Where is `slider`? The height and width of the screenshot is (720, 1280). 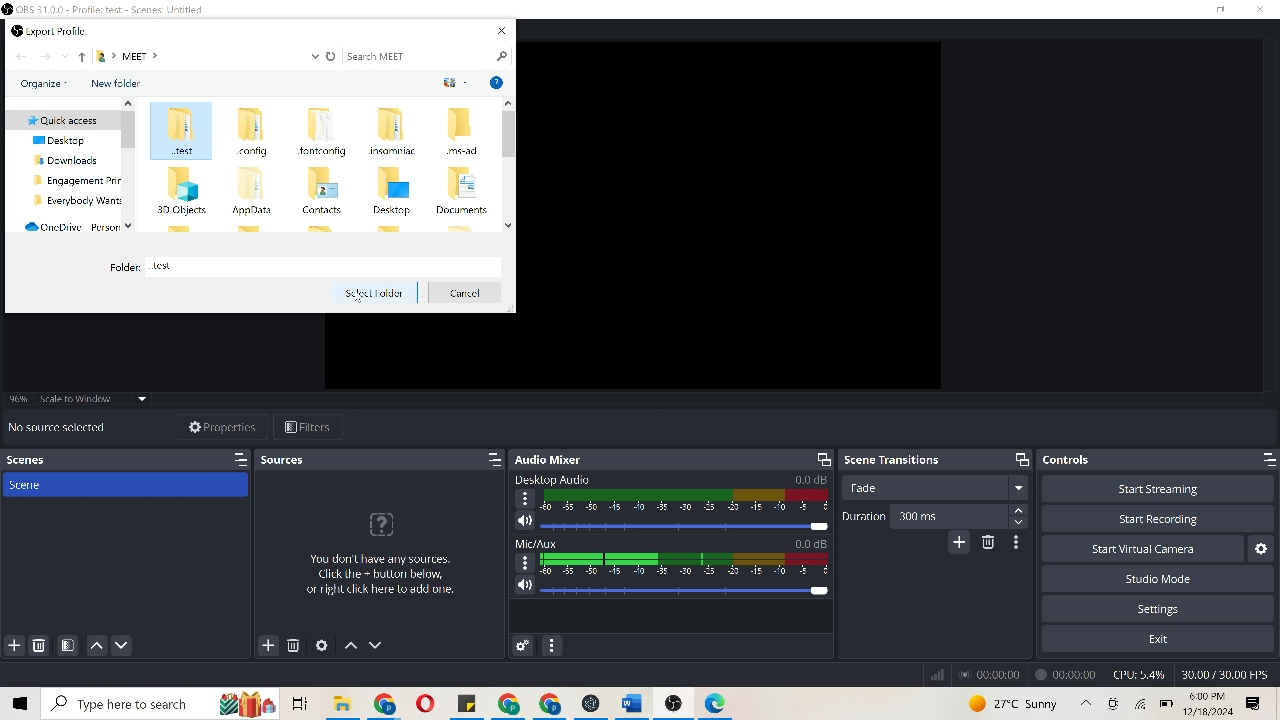
slider is located at coordinates (683, 526).